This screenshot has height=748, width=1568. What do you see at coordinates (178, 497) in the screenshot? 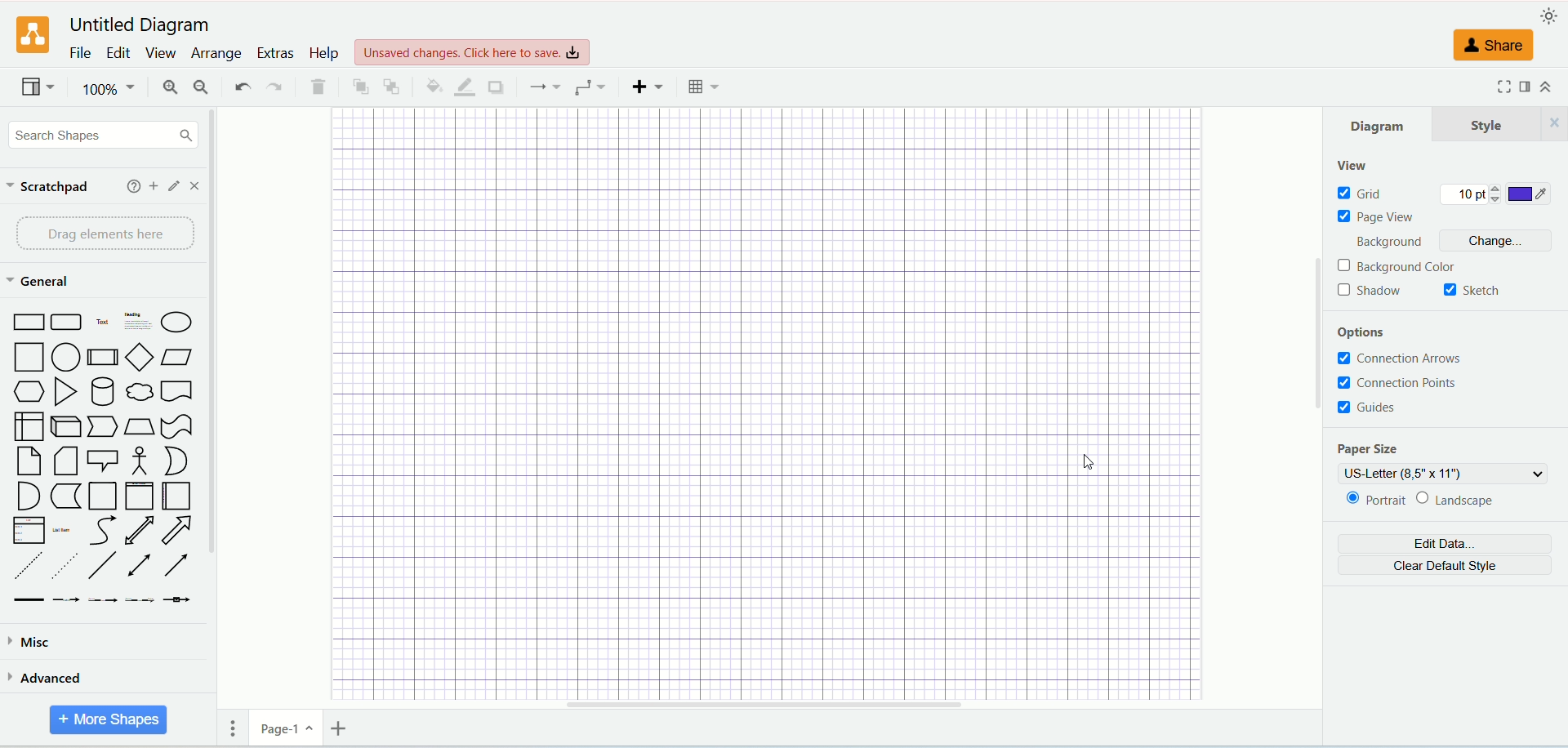
I see `Horizontal Container` at bounding box center [178, 497].